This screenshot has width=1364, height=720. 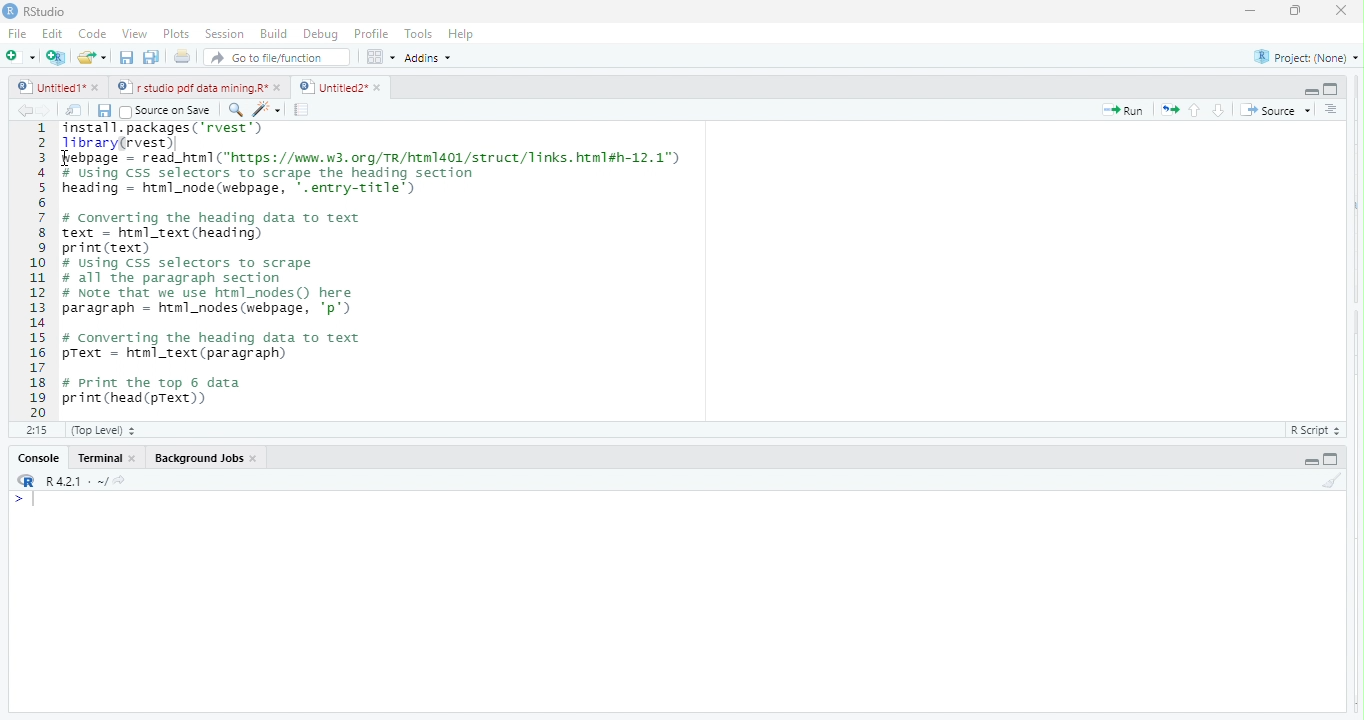 I want to click on 1
2
3
a
5
6
7
H
9
10
11
12
13
14
15
16
17
18
19
20, so click(x=38, y=269).